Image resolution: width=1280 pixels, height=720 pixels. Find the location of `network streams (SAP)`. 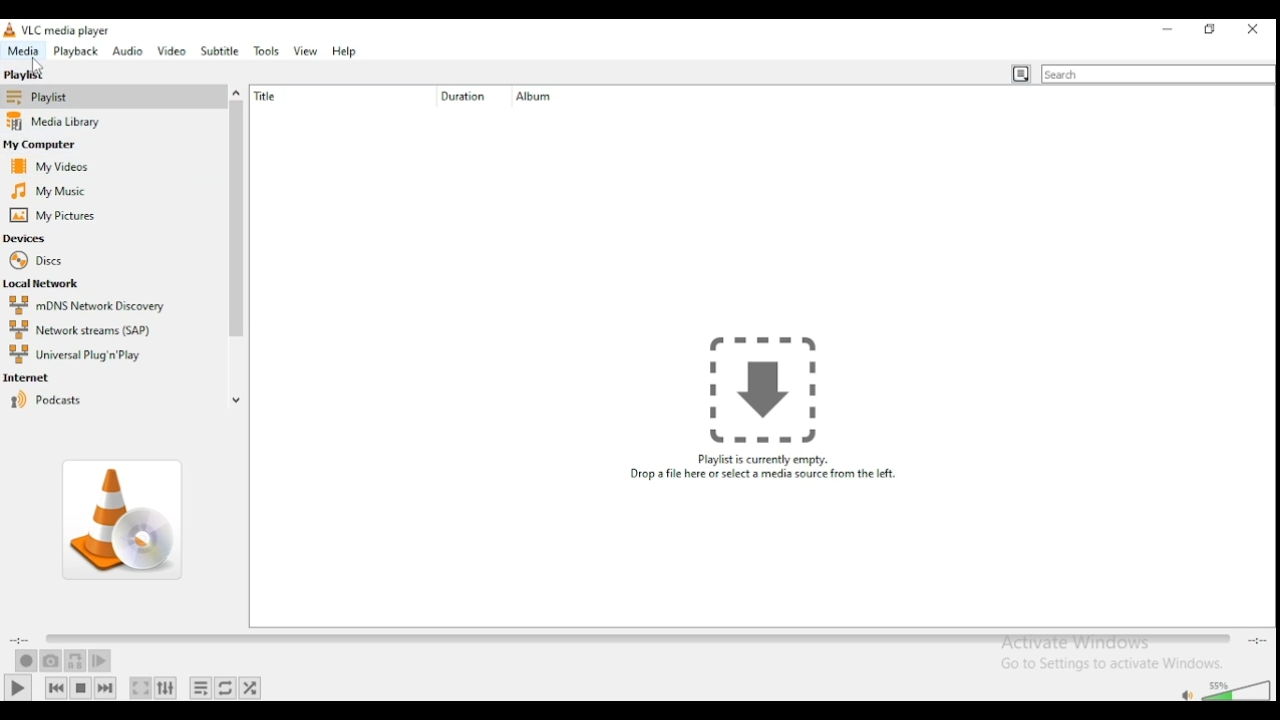

network streams (SAP) is located at coordinates (79, 330).